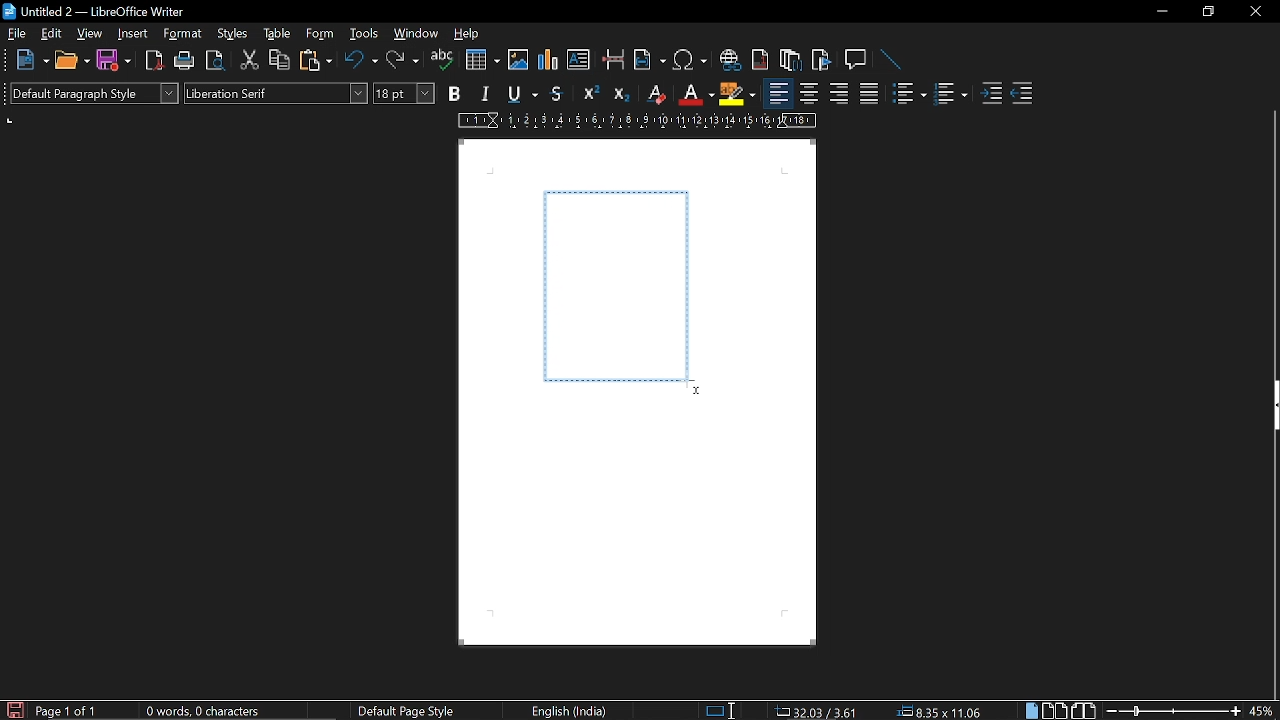 Image resolution: width=1280 pixels, height=720 pixels. Describe the element at coordinates (637, 121) in the screenshot. I see `scale` at that location.